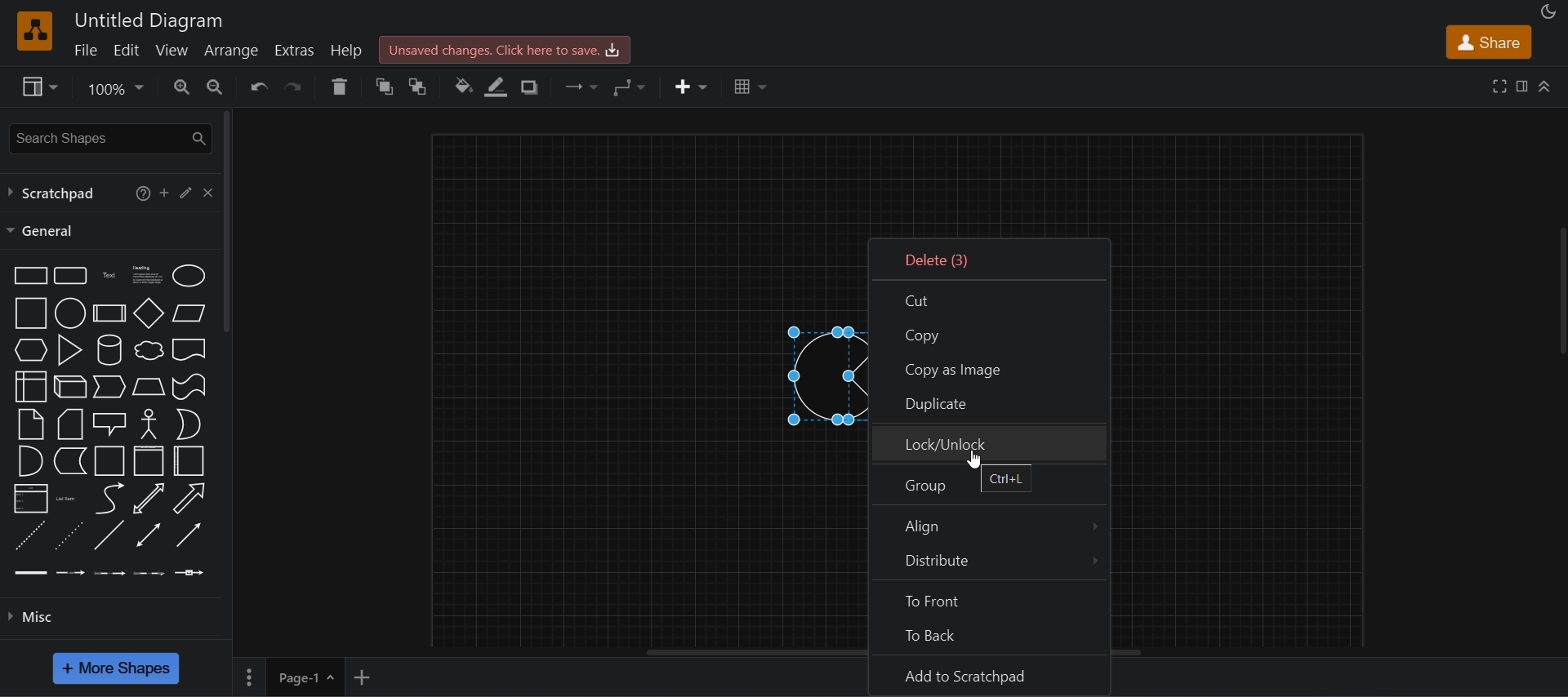 This screenshot has width=1568, height=697. What do you see at coordinates (149, 535) in the screenshot?
I see `Bidirectional connector` at bounding box center [149, 535].